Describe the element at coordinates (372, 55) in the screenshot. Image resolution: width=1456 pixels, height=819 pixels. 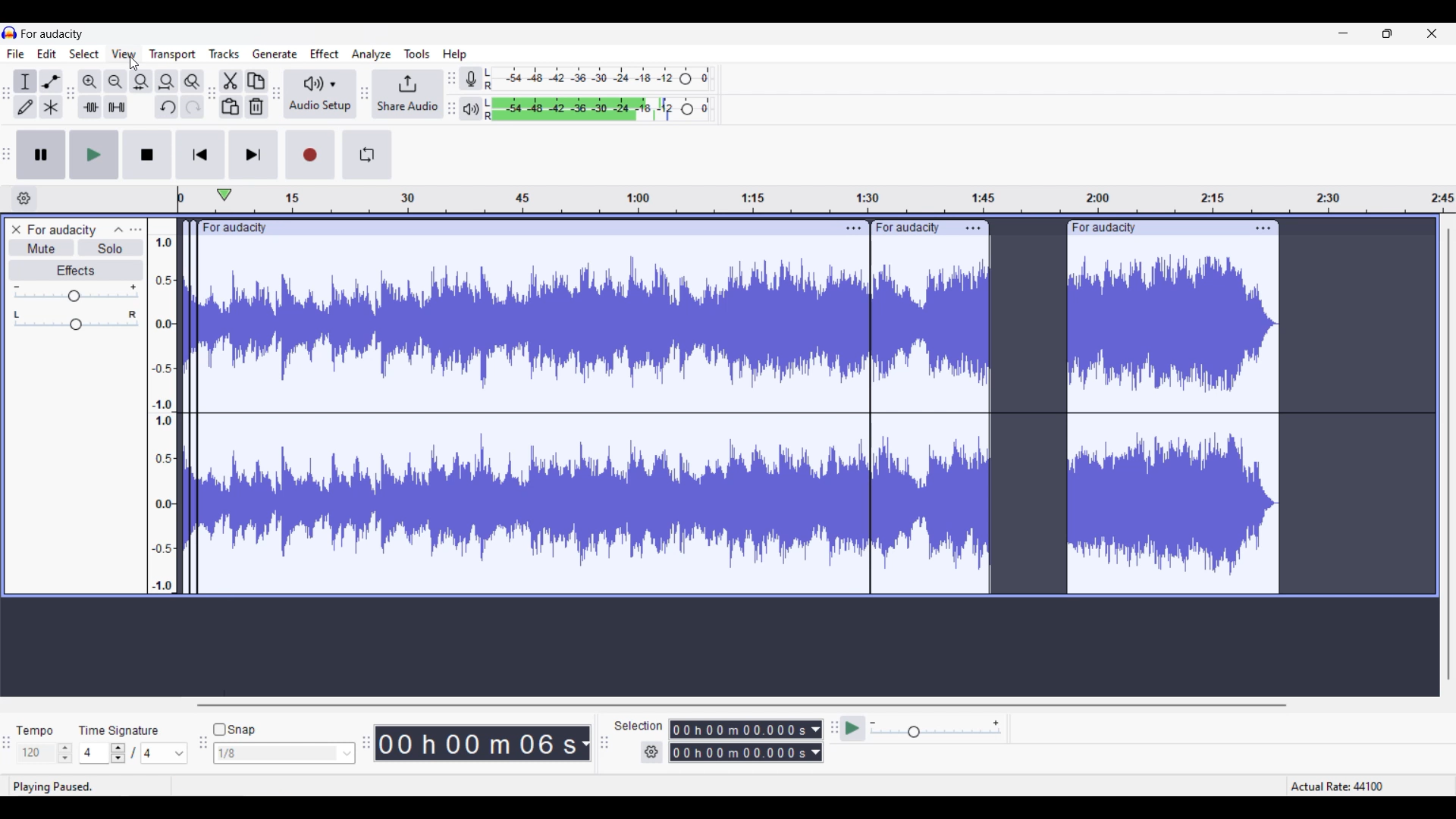
I see `Analyze menu` at that location.